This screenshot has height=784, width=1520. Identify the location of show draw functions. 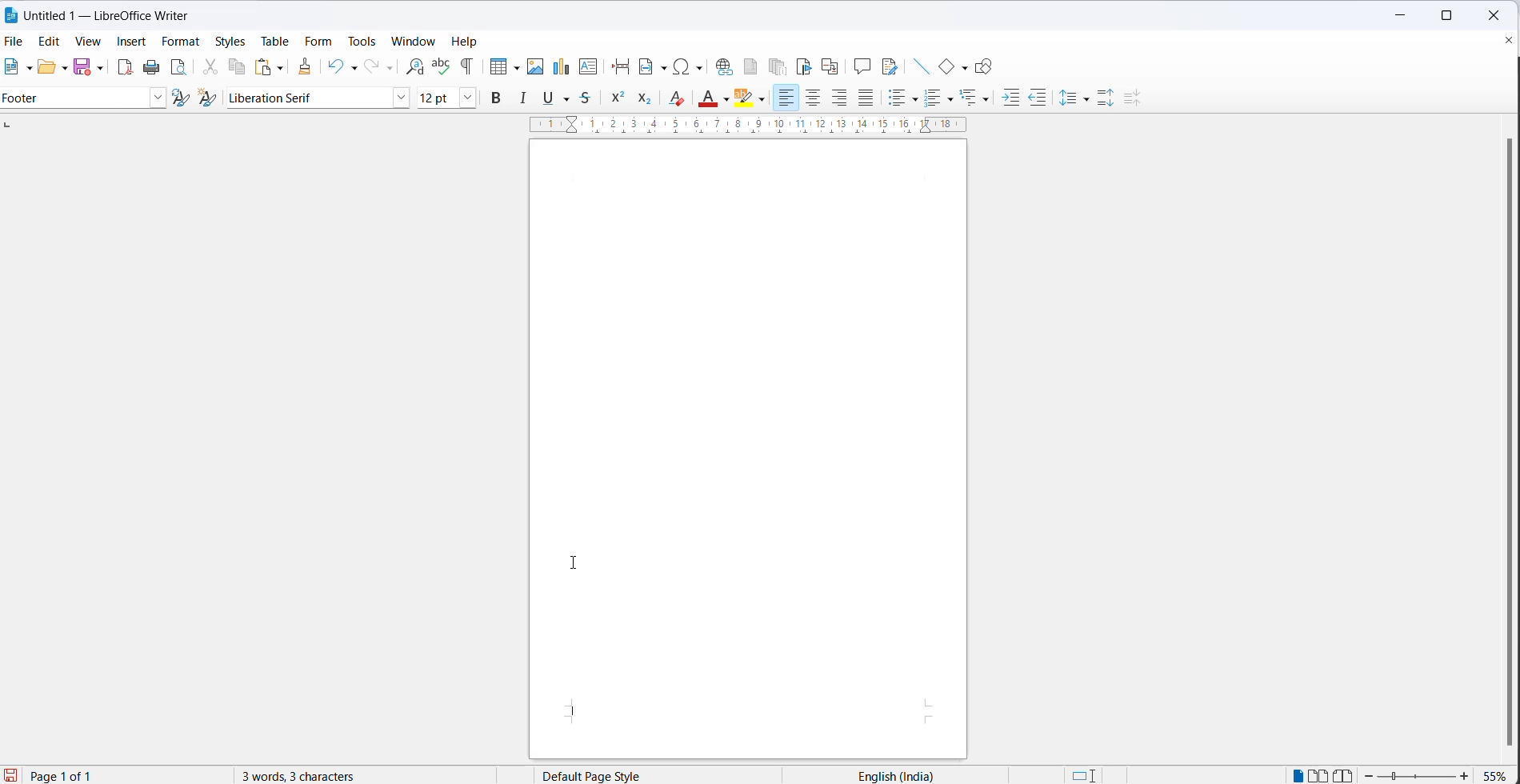
(990, 66).